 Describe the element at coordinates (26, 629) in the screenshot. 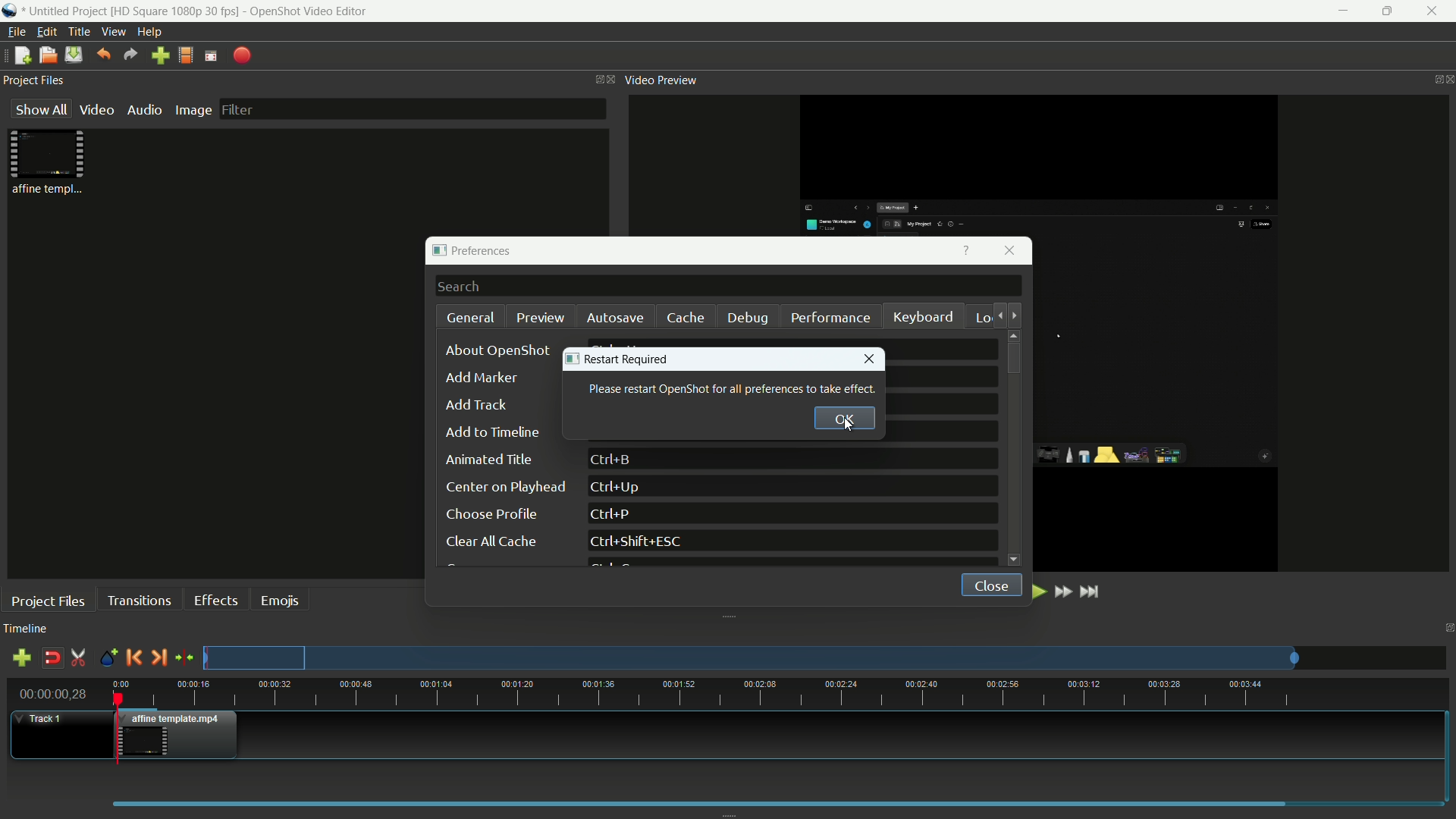

I see `timeline` at that location.